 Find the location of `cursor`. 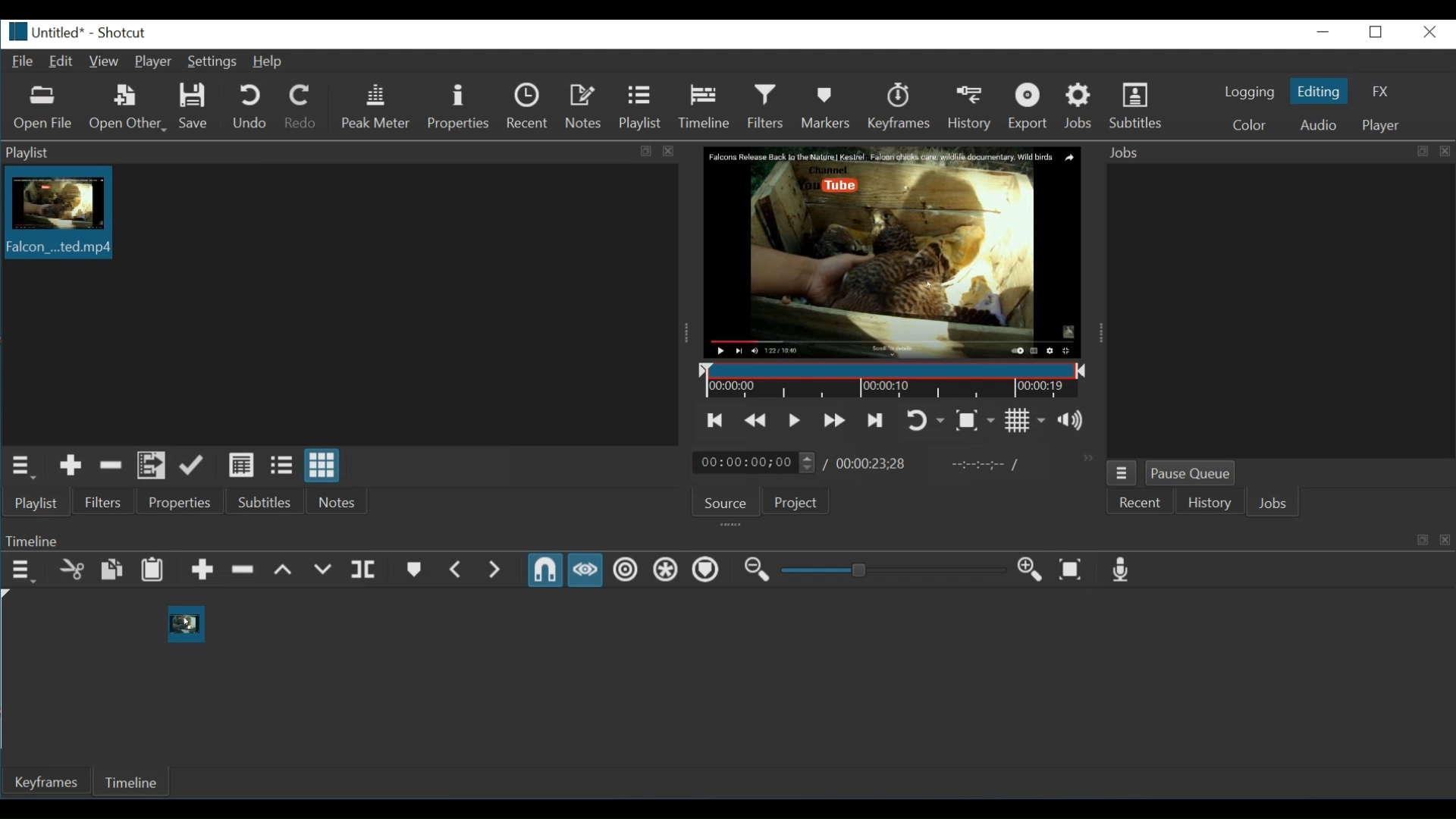

cursor is located at coordinates (186, 625).